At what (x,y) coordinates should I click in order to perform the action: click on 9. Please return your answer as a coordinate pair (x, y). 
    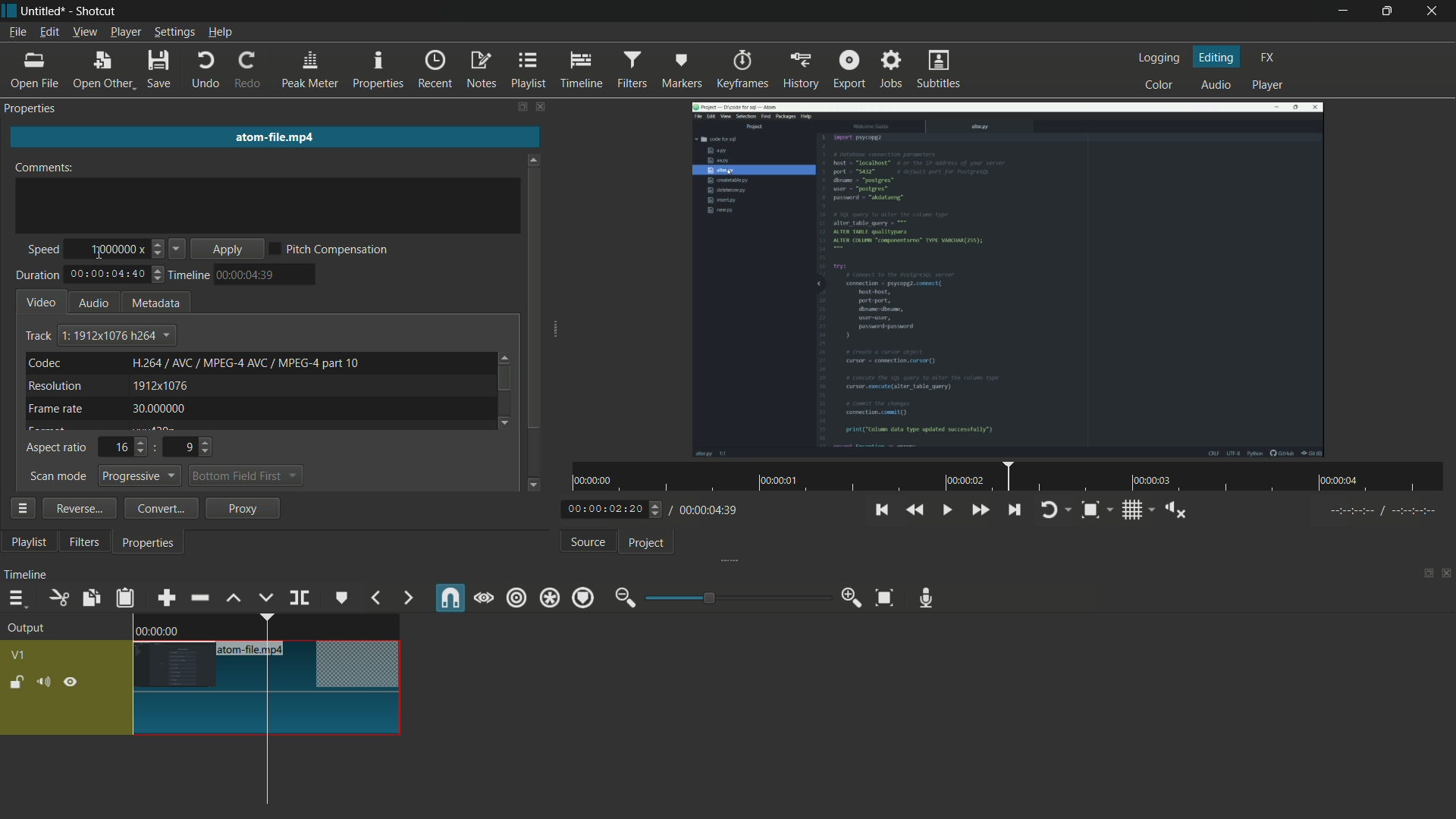
    Looking at the image, I should click on (187, 447).